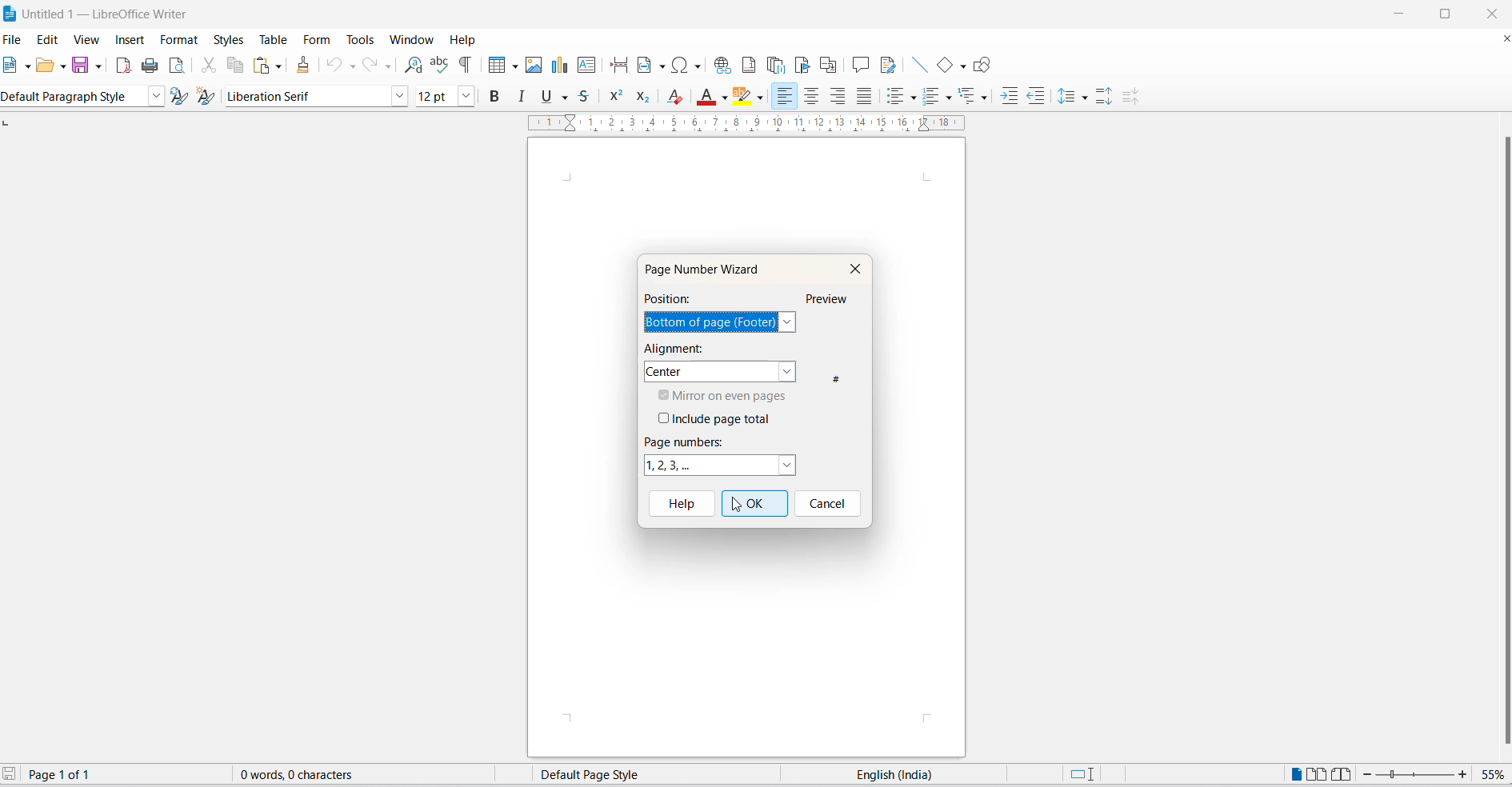 This screenshot has width=1512, height=787. Describe the element at coordinates (754, 124) in the screenshot. I see `scaling` at that location.